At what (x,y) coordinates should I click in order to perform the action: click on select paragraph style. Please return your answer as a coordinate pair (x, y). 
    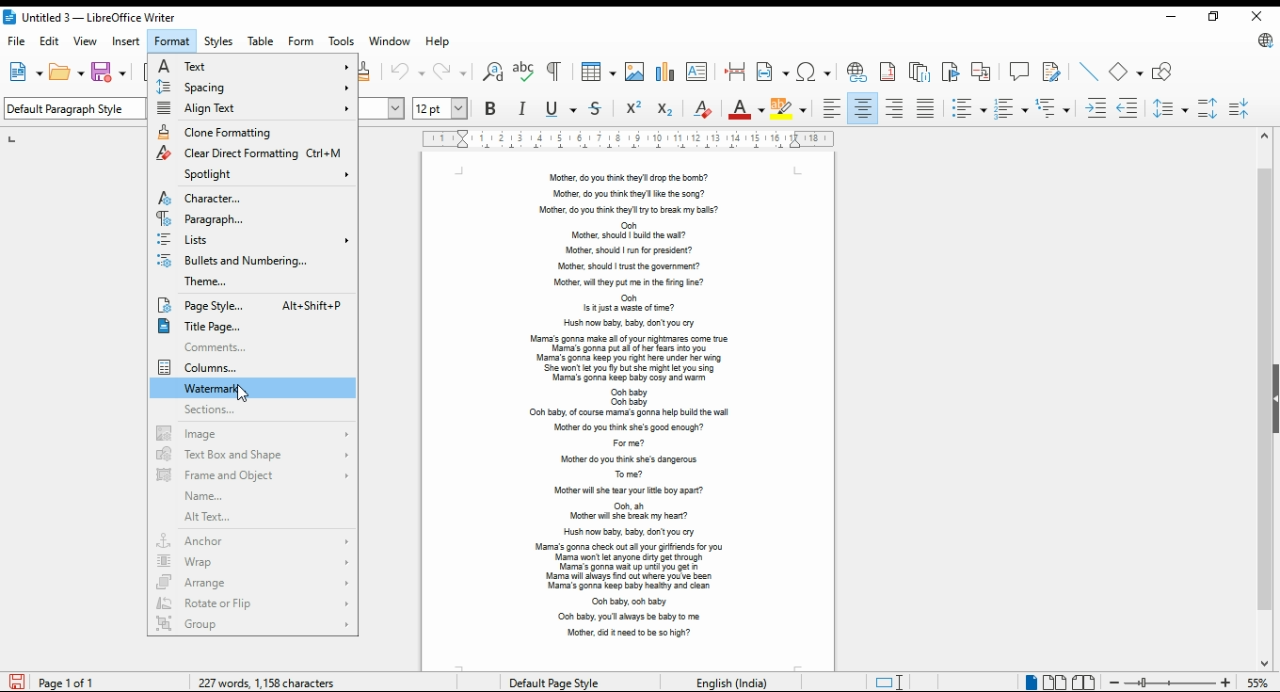
    Looking at the image, I should click on (78, 108).